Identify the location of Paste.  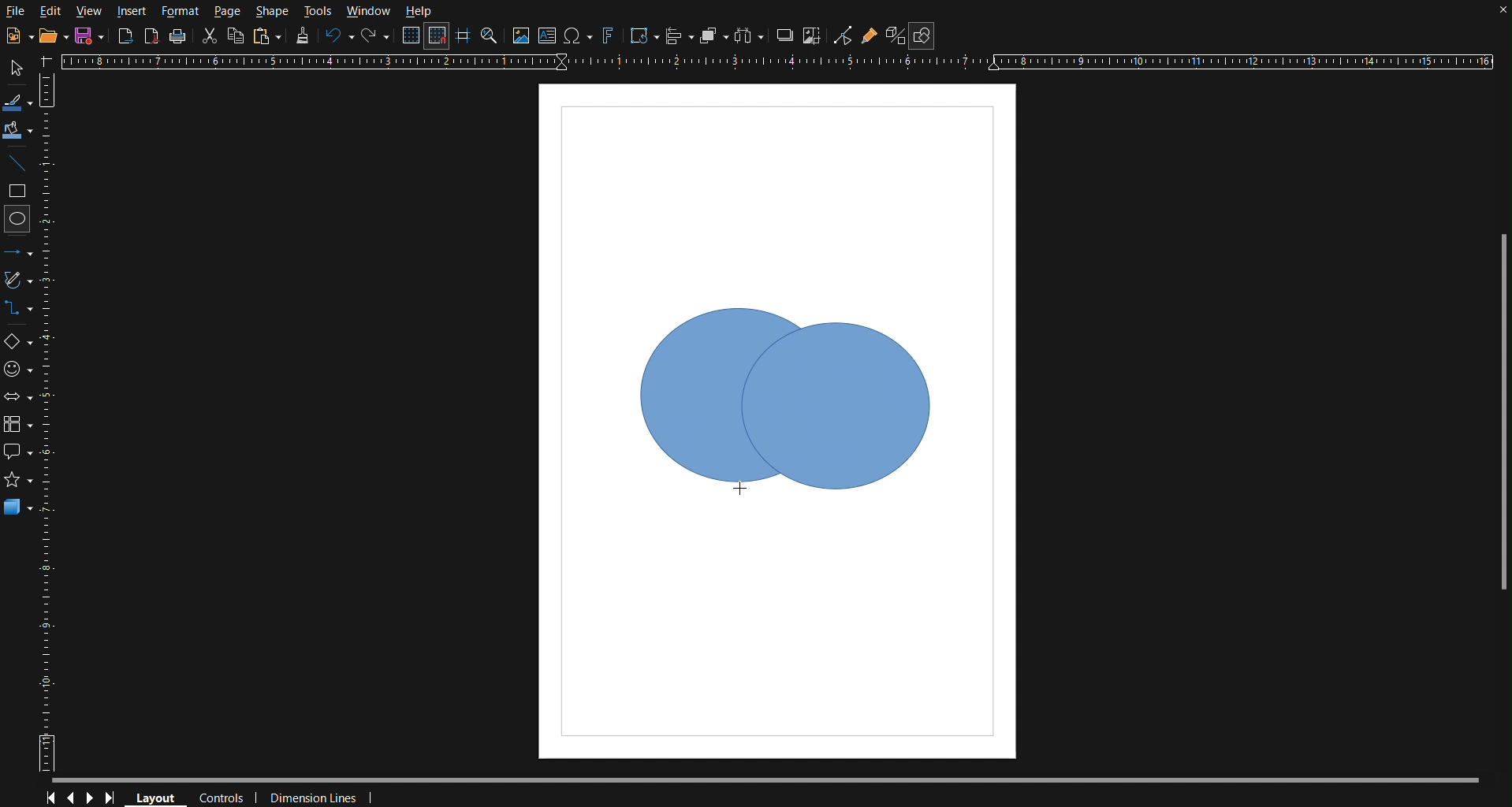
(267, 36).